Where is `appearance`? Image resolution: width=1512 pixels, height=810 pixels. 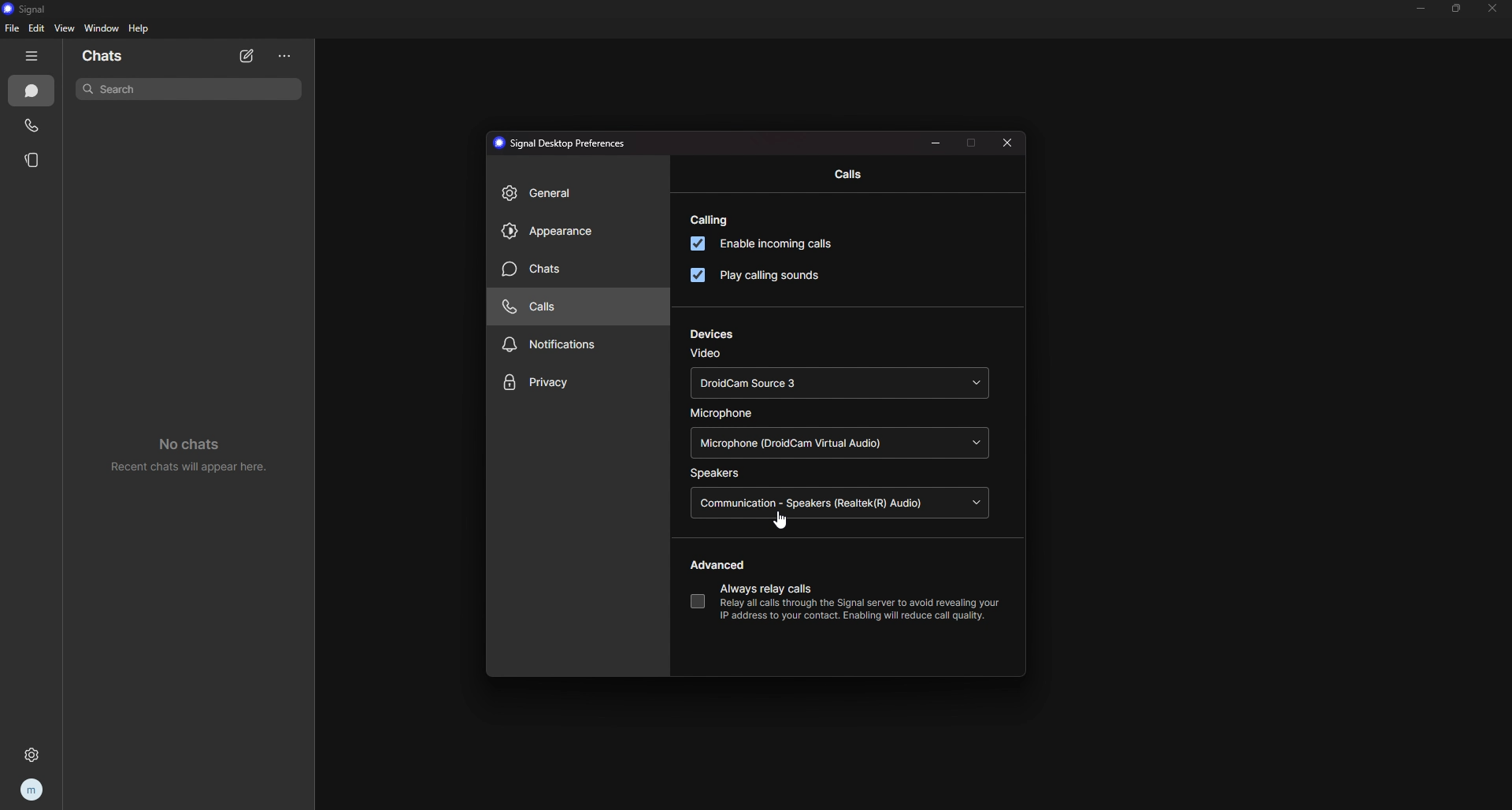 appearance is located at coordinates (575, 232).